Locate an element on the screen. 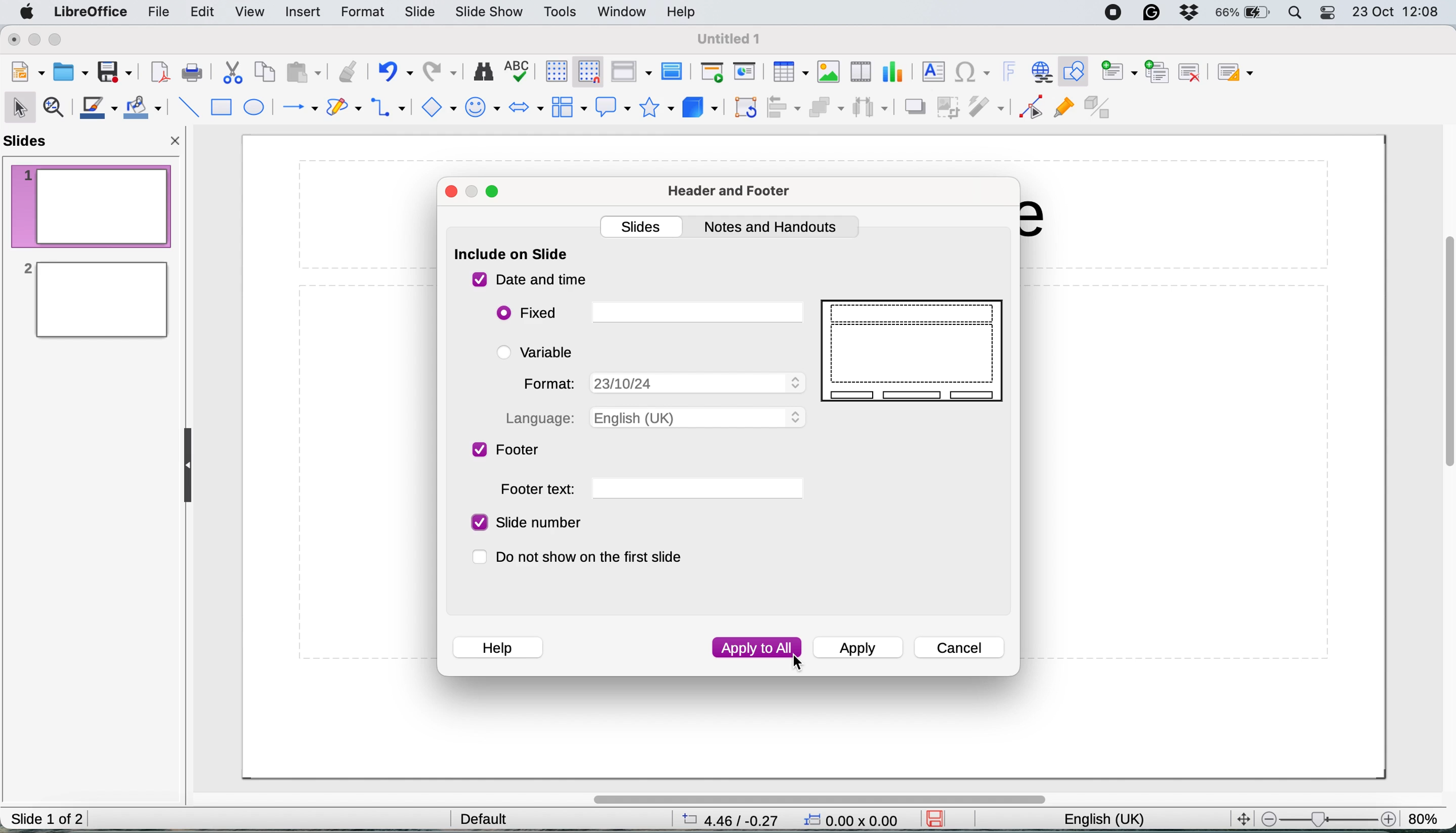 This screenshot has width=1456, height=833. view is located at coordinates (253, 11).